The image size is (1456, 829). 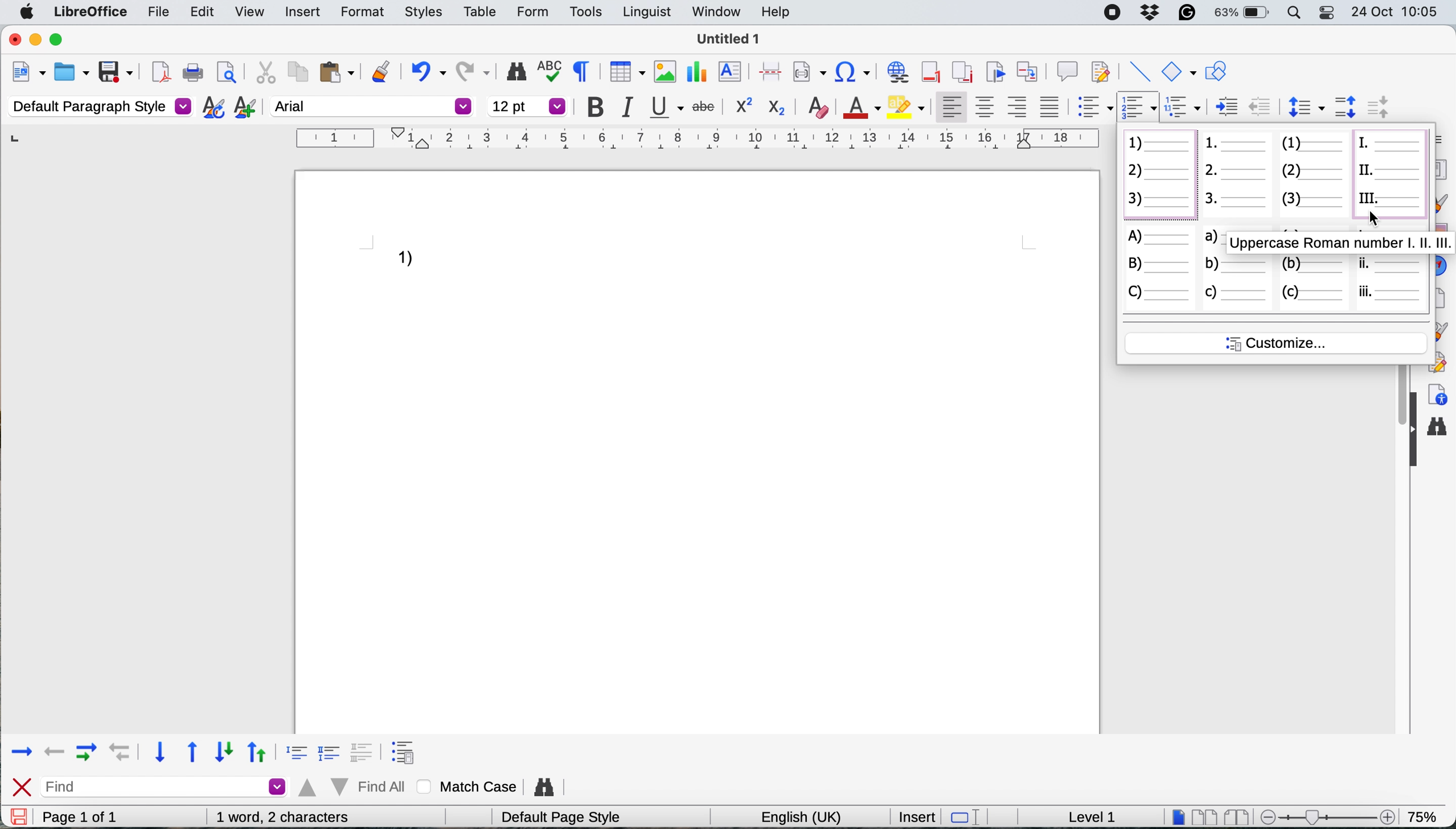 What do you see at coordinates (1187, 106) in the screenshot?
I see `select outline format` at bounding box center [1187, 106].